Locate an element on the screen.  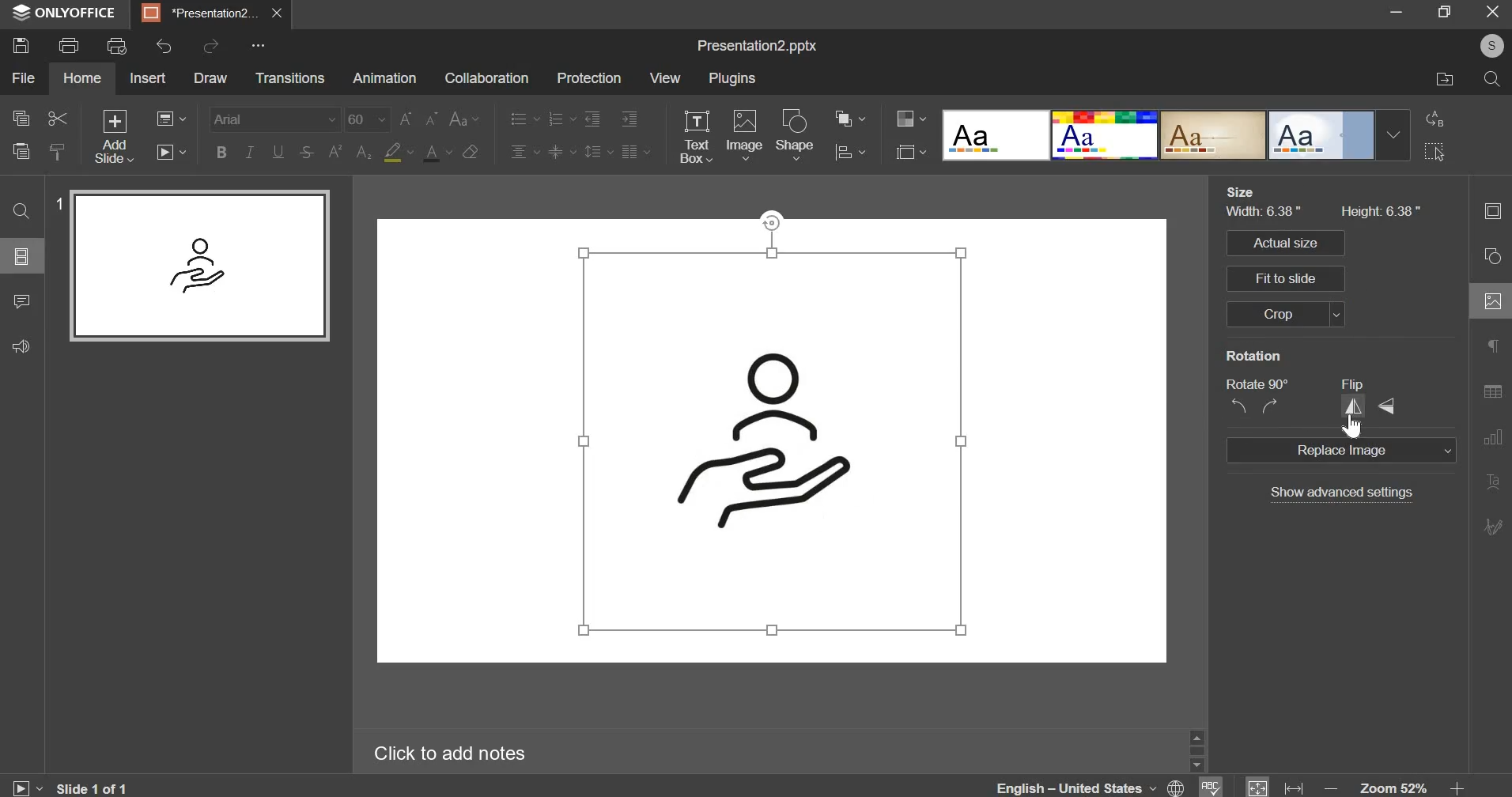
slide settings is located at coordinates (1492, 211).